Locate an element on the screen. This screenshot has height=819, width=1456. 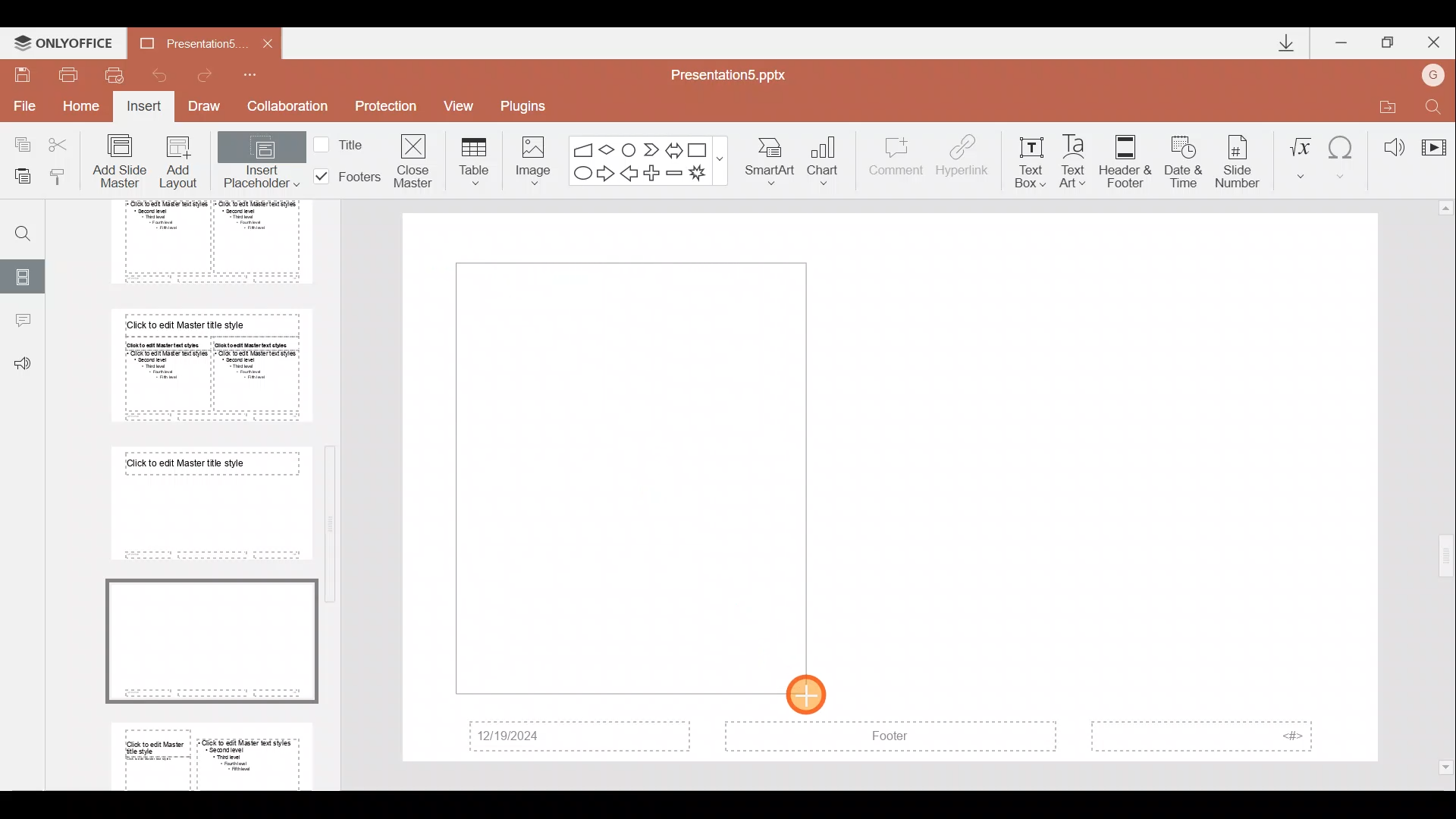
Home is located at coordinates (83, 110).